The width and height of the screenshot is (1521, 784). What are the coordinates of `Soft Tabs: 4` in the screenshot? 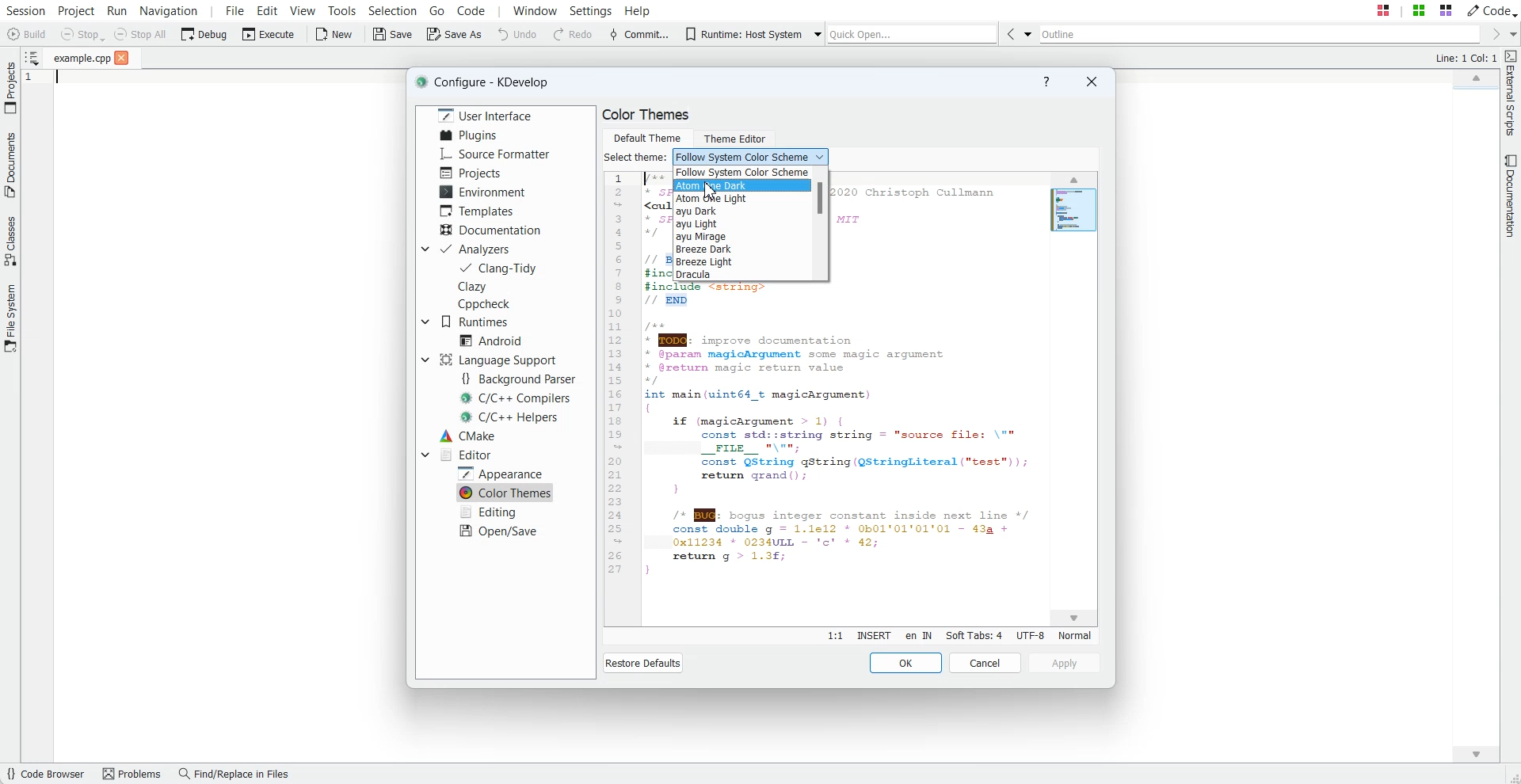 It's located at (974, 635).